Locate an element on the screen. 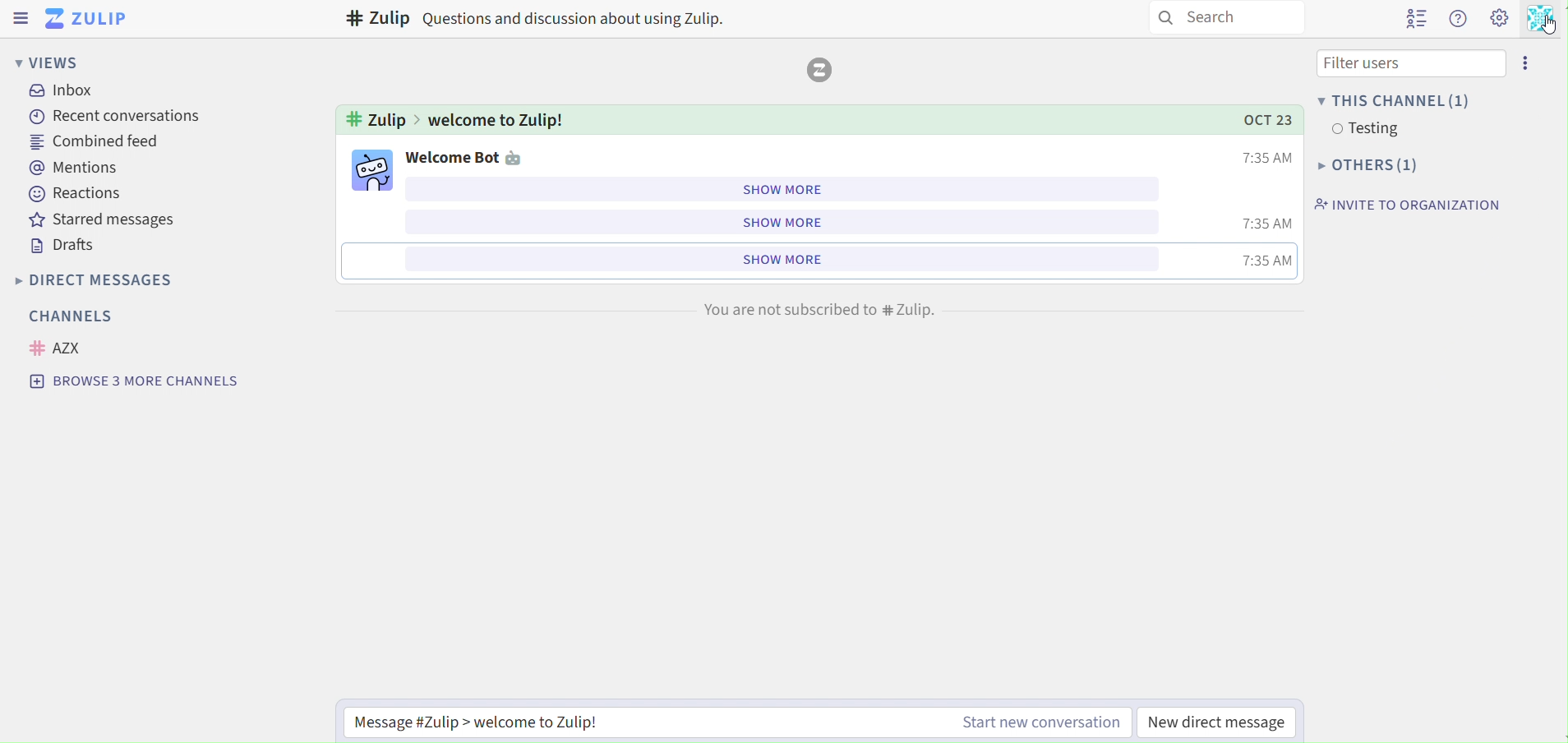 Image resolution: width=1568 pixels, height=743 pixels. AZX is located at coordinates (60, 348).